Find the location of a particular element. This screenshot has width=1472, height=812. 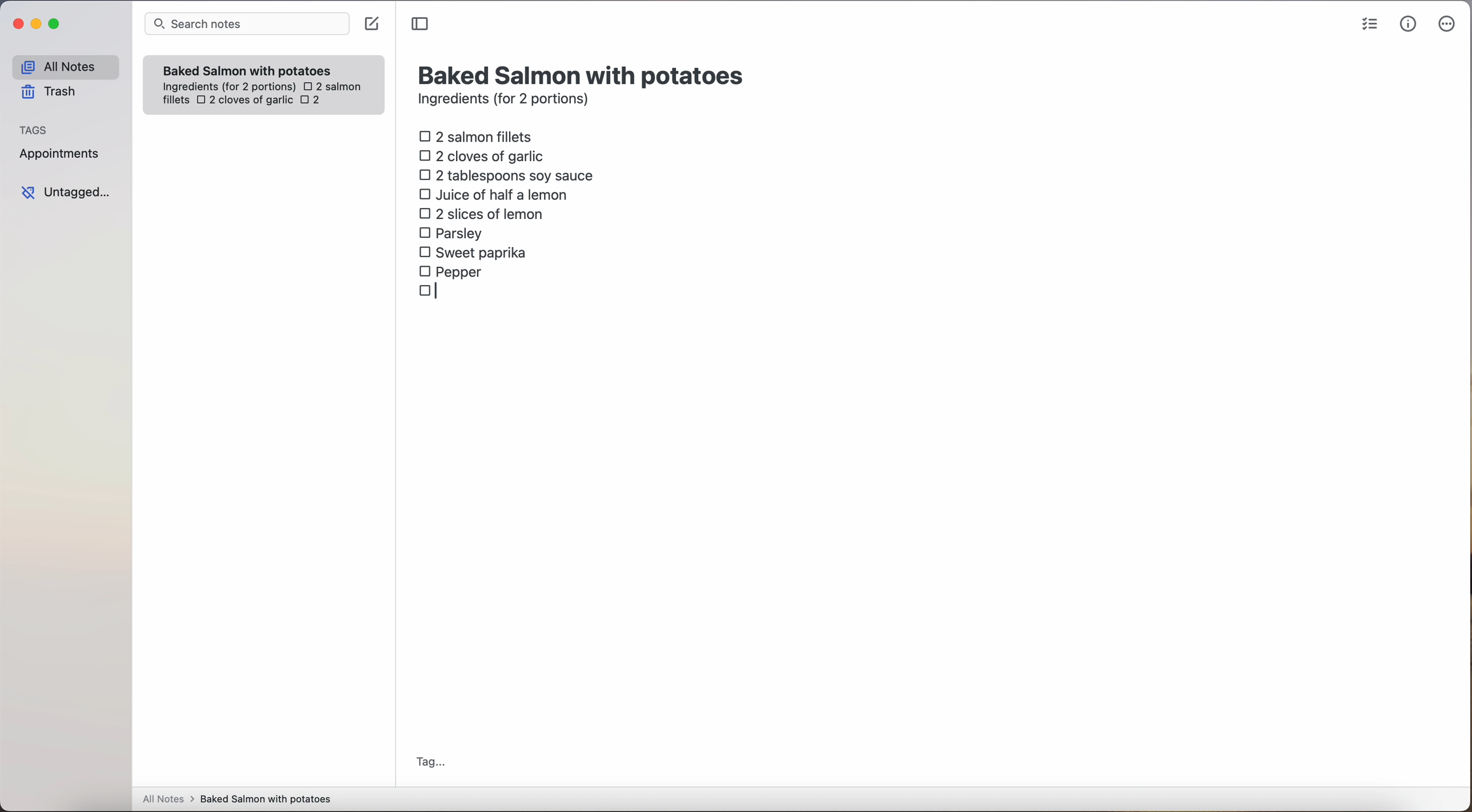

2 salmon is located at coordinates (331, 85).